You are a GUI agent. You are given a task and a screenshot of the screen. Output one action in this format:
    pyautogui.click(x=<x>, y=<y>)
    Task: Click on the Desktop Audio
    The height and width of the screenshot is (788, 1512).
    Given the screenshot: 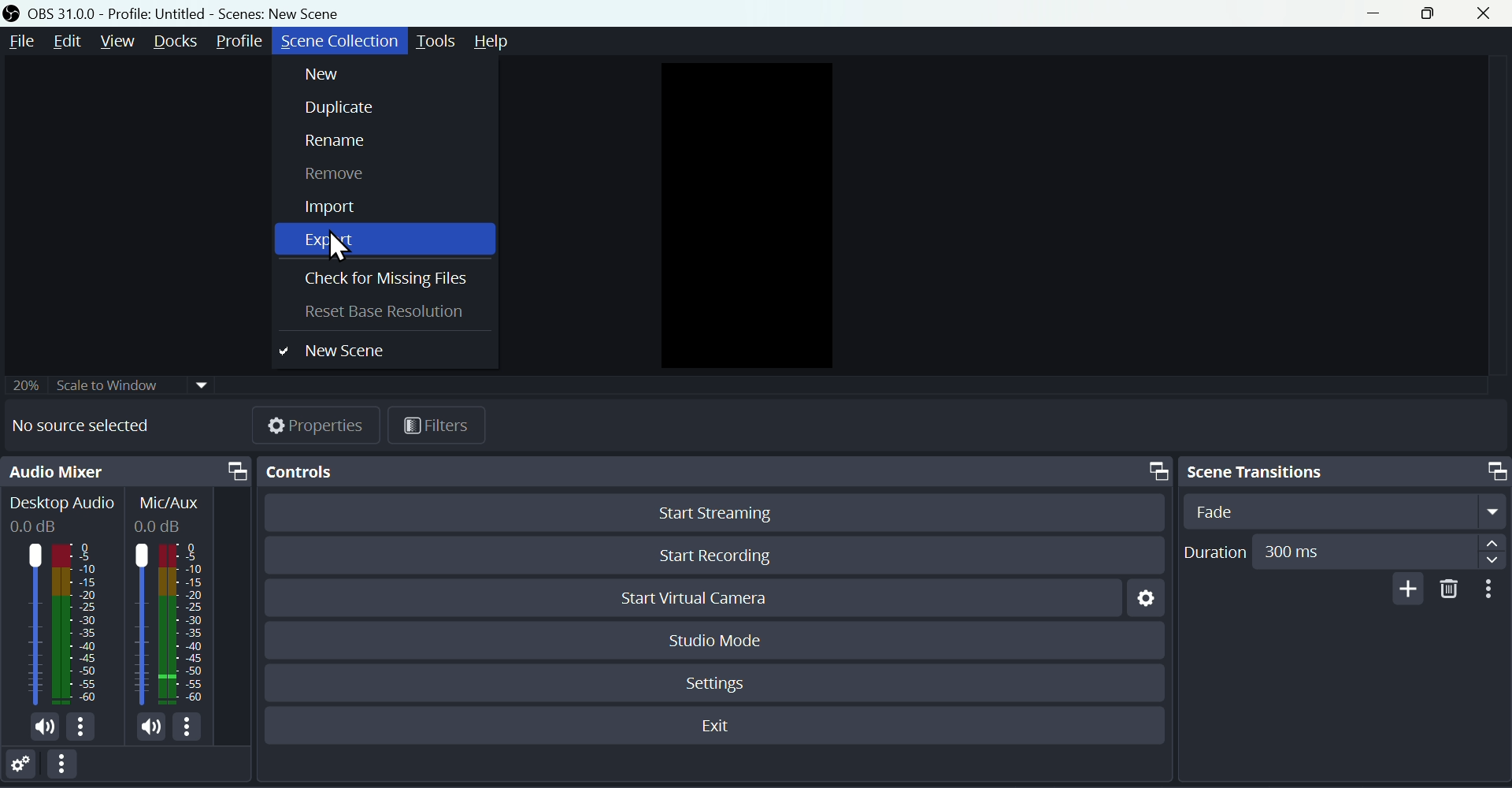 What is the action you would take?
    pyautogui.click(x=61, y=514)
    